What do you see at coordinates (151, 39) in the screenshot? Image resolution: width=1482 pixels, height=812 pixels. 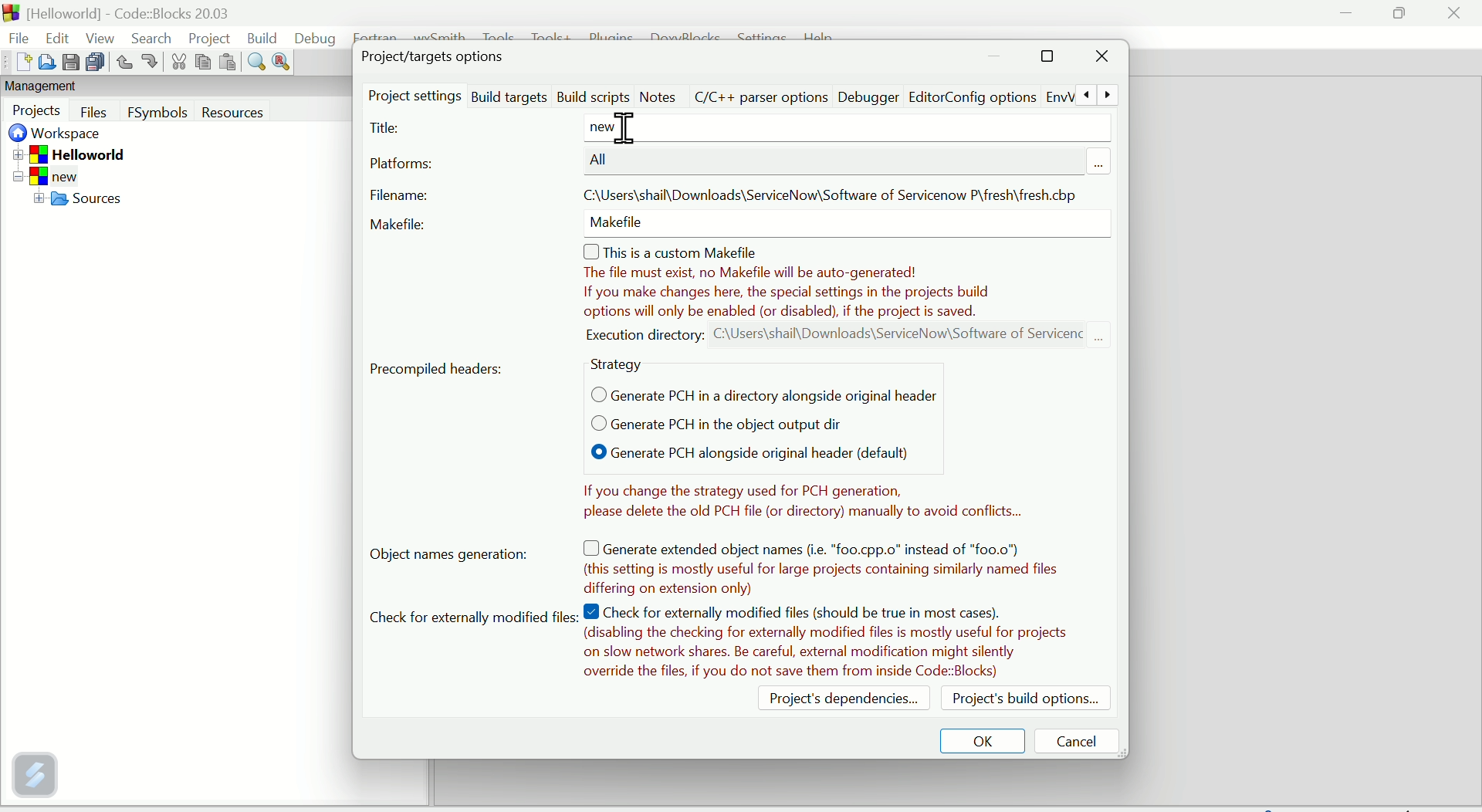 I see `Search` at bounding box center [151, 39].